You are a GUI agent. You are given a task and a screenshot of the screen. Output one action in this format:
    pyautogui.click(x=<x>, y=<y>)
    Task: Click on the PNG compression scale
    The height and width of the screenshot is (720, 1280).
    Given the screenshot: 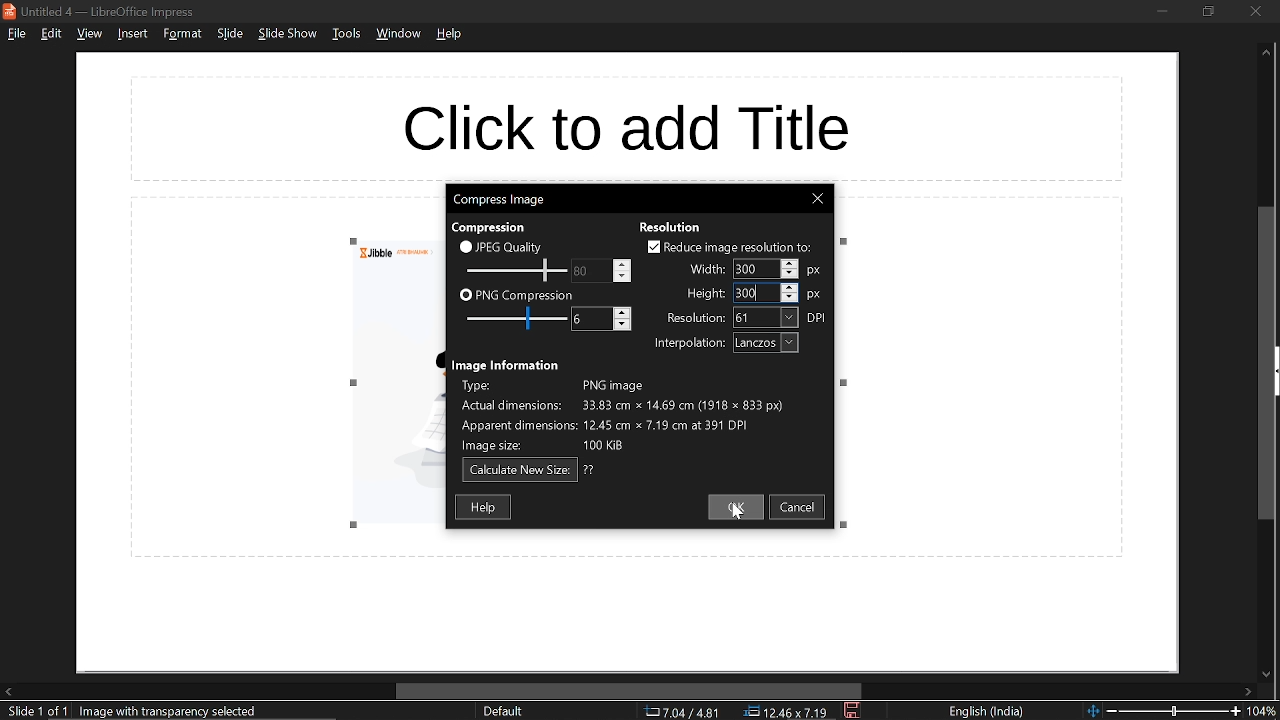 What is the action you would take?
    pyautogui.click(x=513, y=318)
    